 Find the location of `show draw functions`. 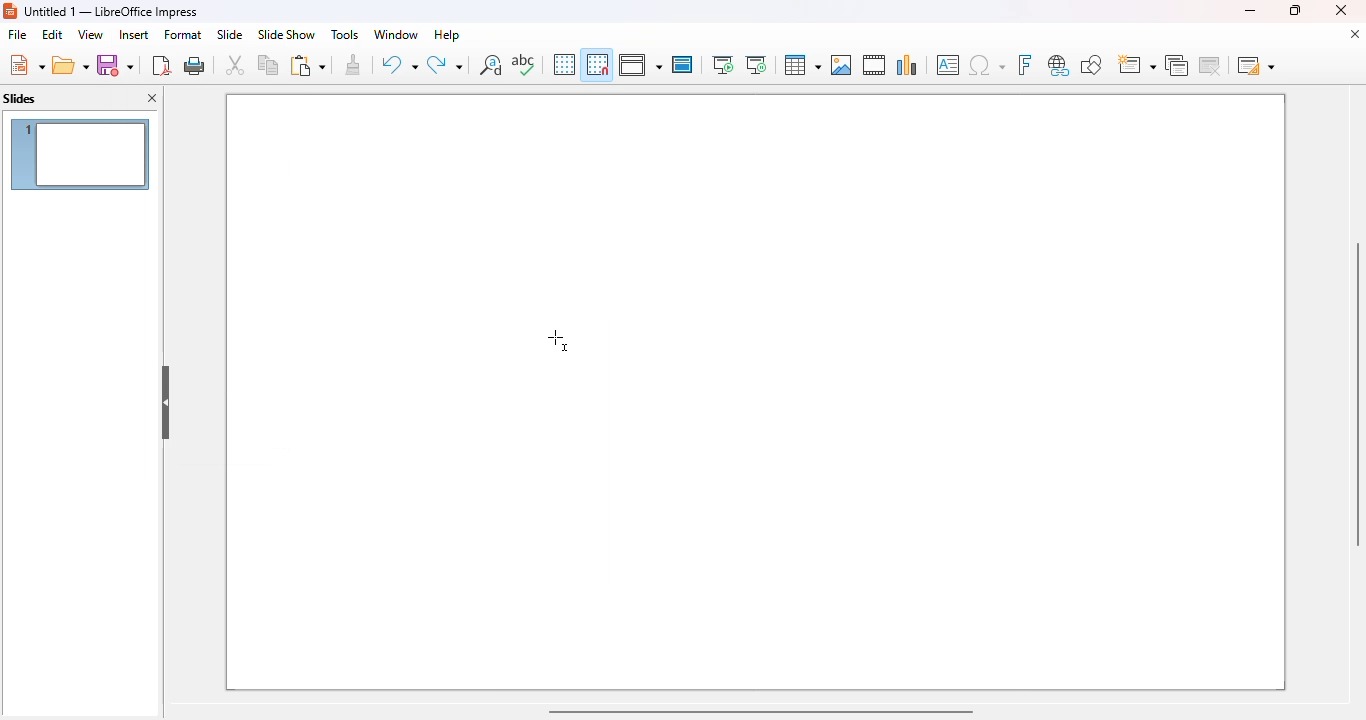

show draw functions is located at coordinates (1090, 64).